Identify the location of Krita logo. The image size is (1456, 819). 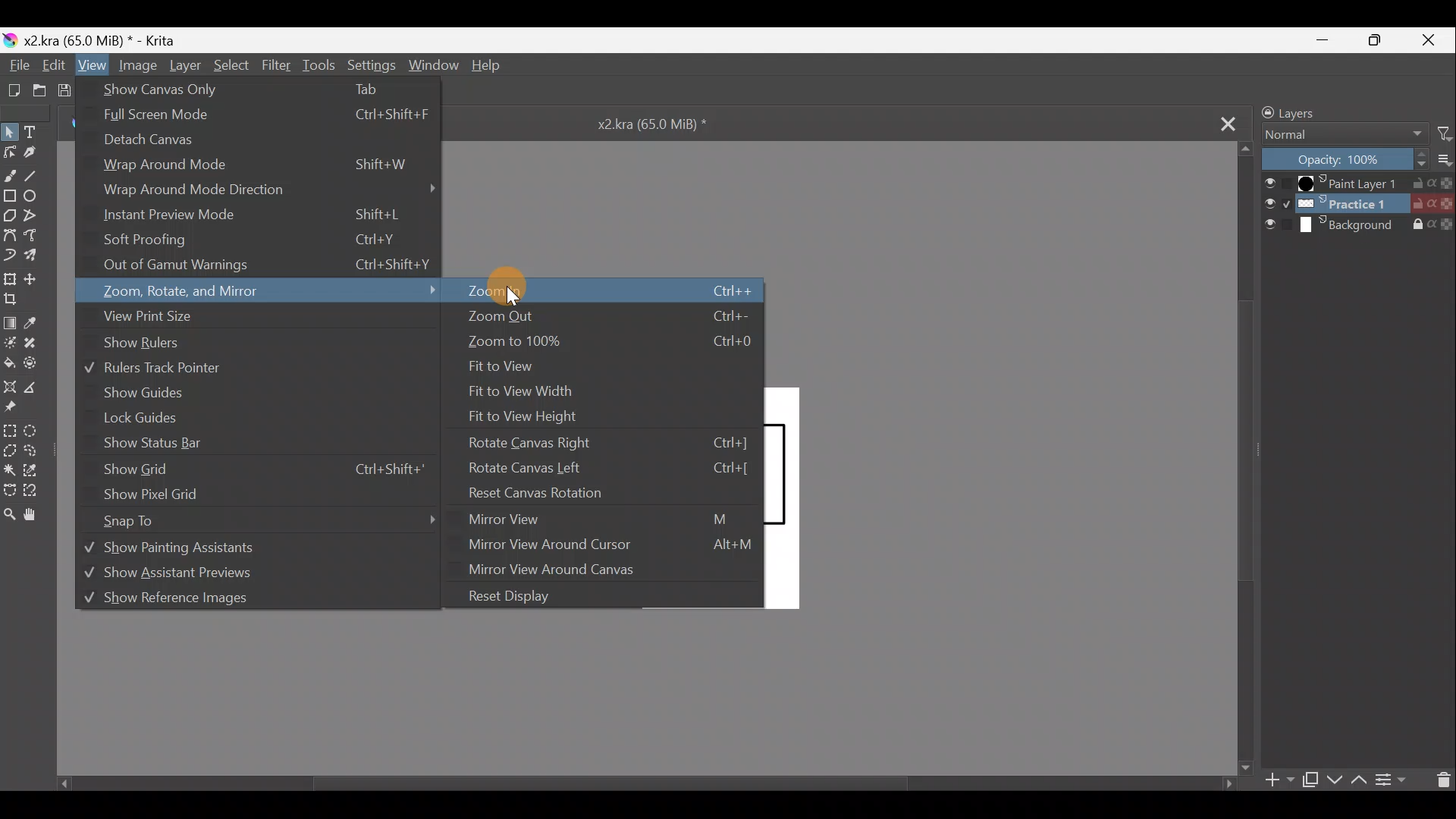
(9, 37).